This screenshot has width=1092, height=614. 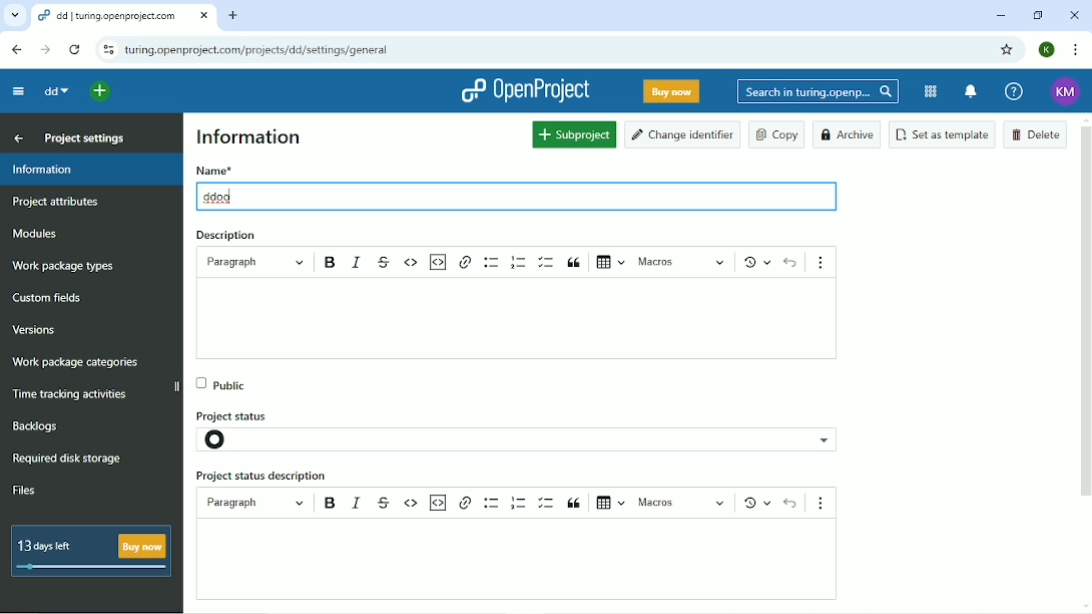 What do you see at coordinates (51, 299) in the screenshot?
I see `Custom fields` at bounding box center [51, 299].